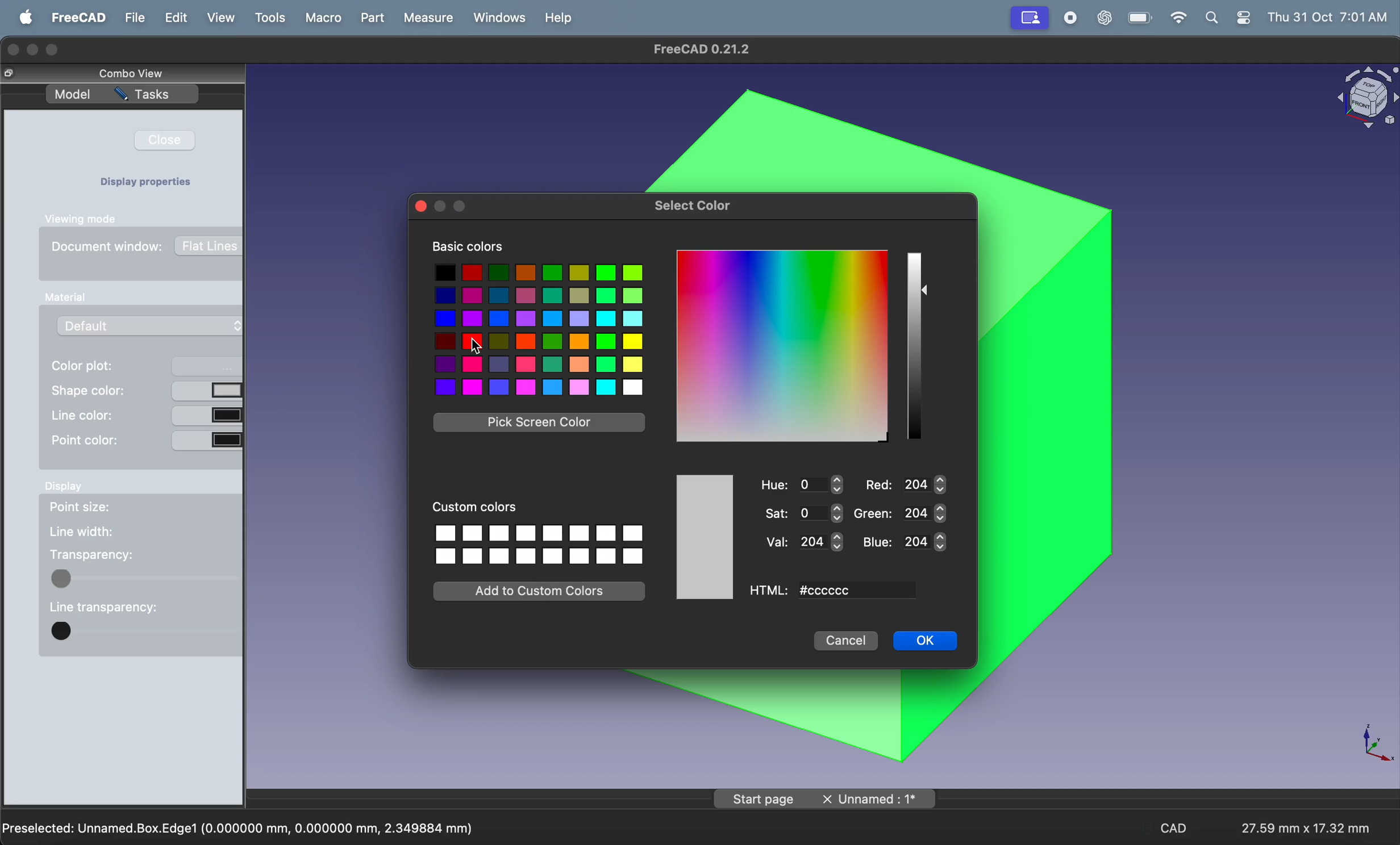 The height and width of the screenshot is (845, 1400). Describe the element at coordinates (145, 440) in the screenshot. I see `point color` at that location.